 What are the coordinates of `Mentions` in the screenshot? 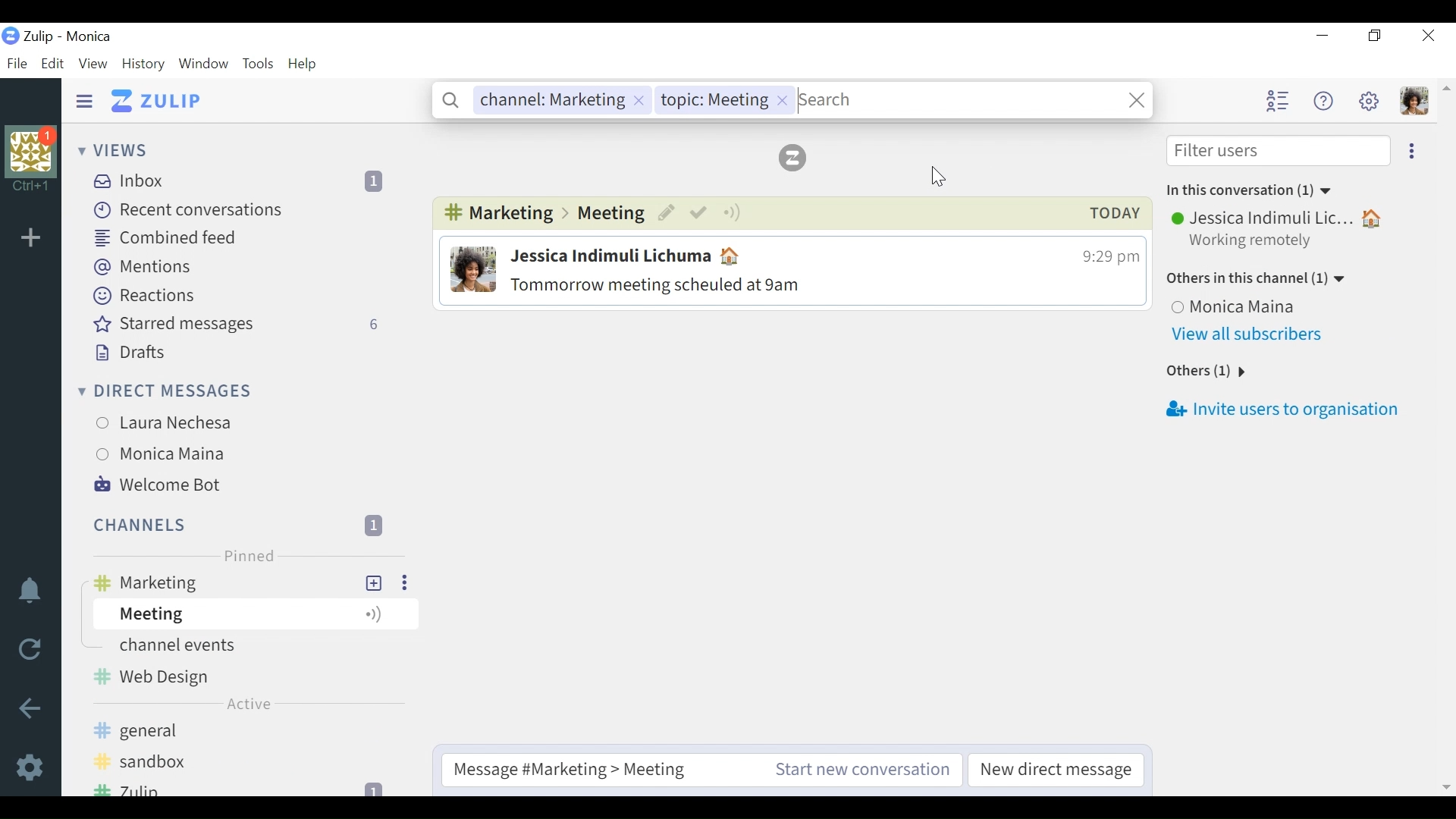 It's located at (143, 268).